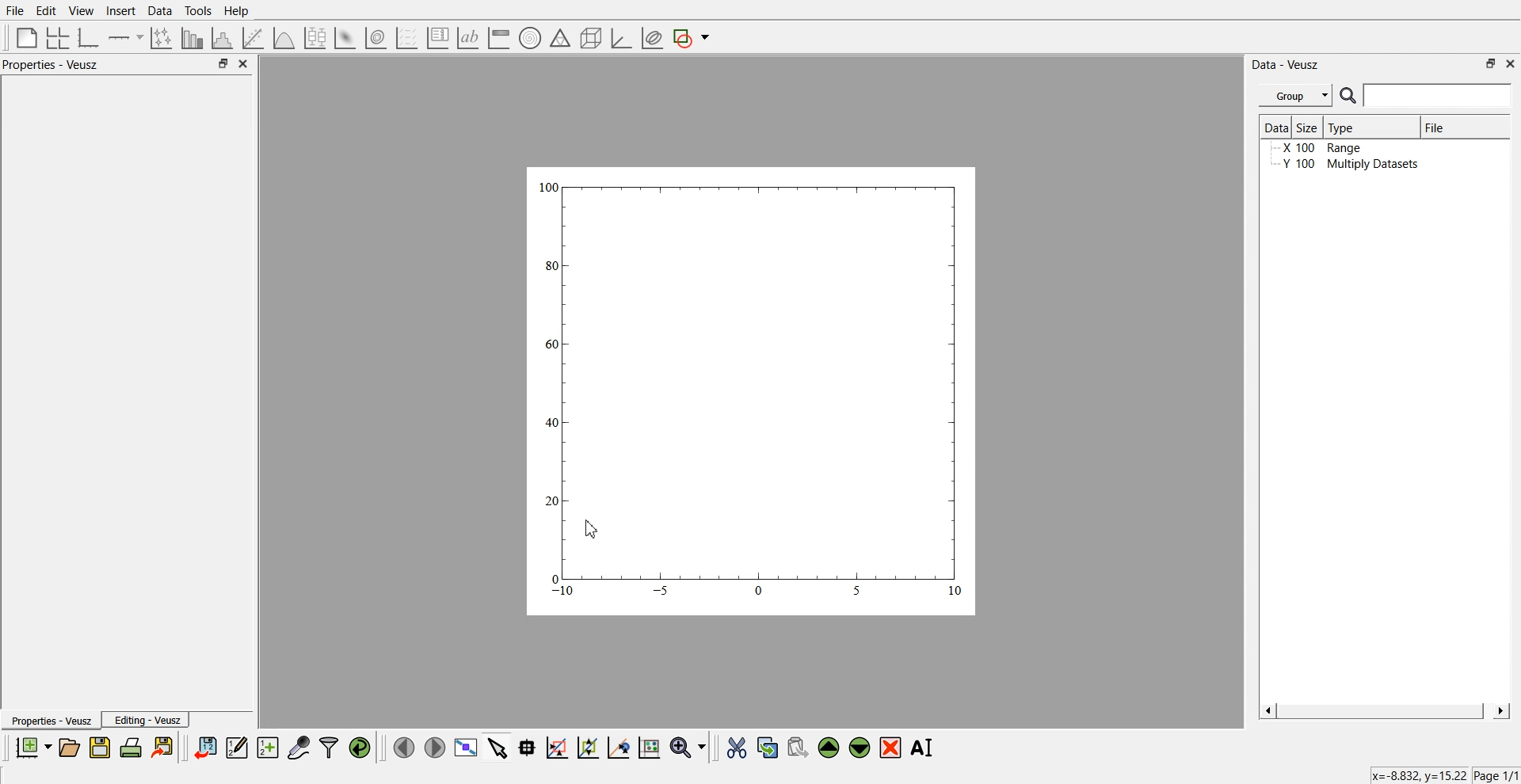 The width and height of the screenshot is (1521, 784). Describe the element at coordinates (16, 11) in the screenshot. I see `File` at that location.